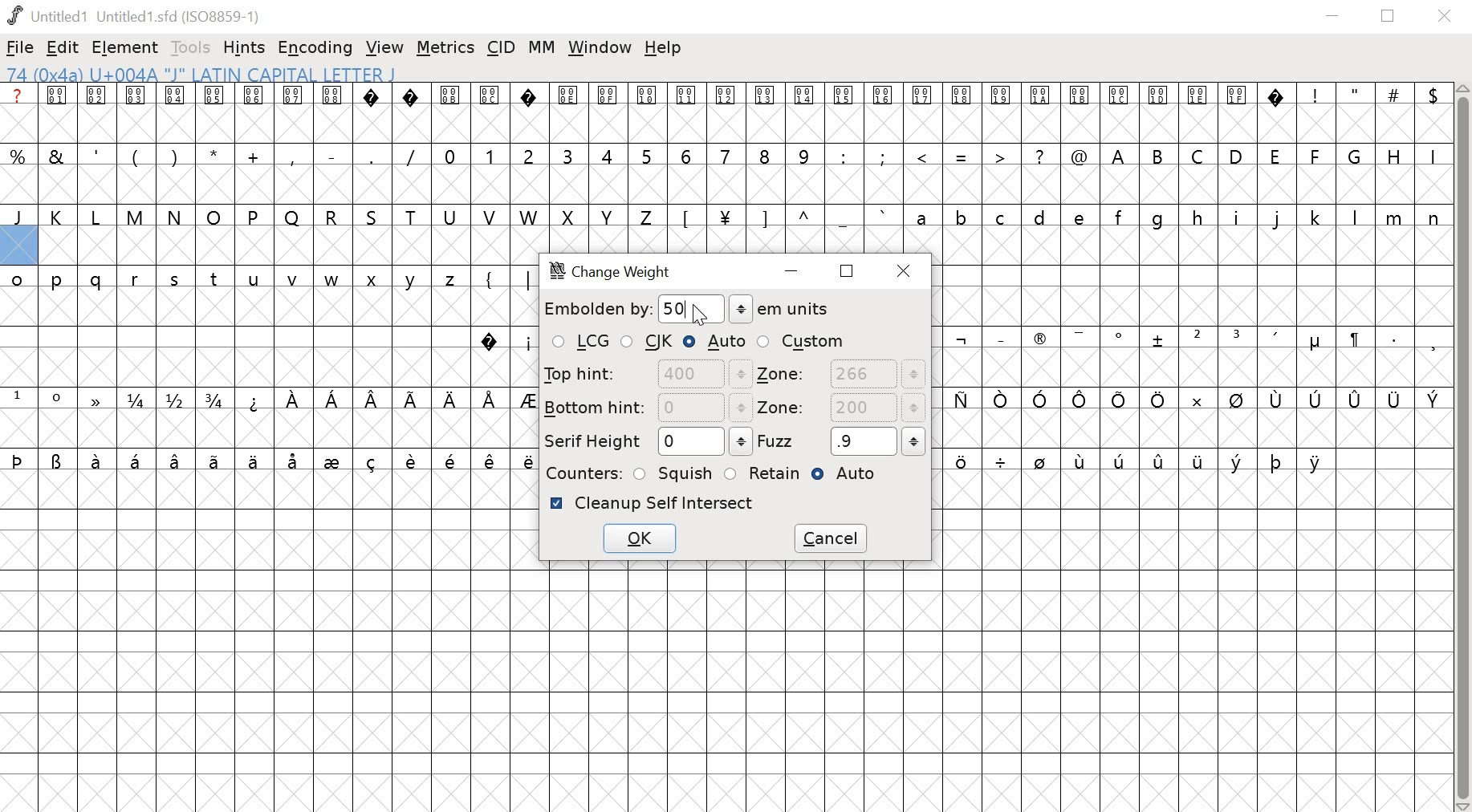 This screenshot has width=1472, height=812. Describe the element at coordinates (850, 476) in the screenshot. I see `AUTO` at that location.